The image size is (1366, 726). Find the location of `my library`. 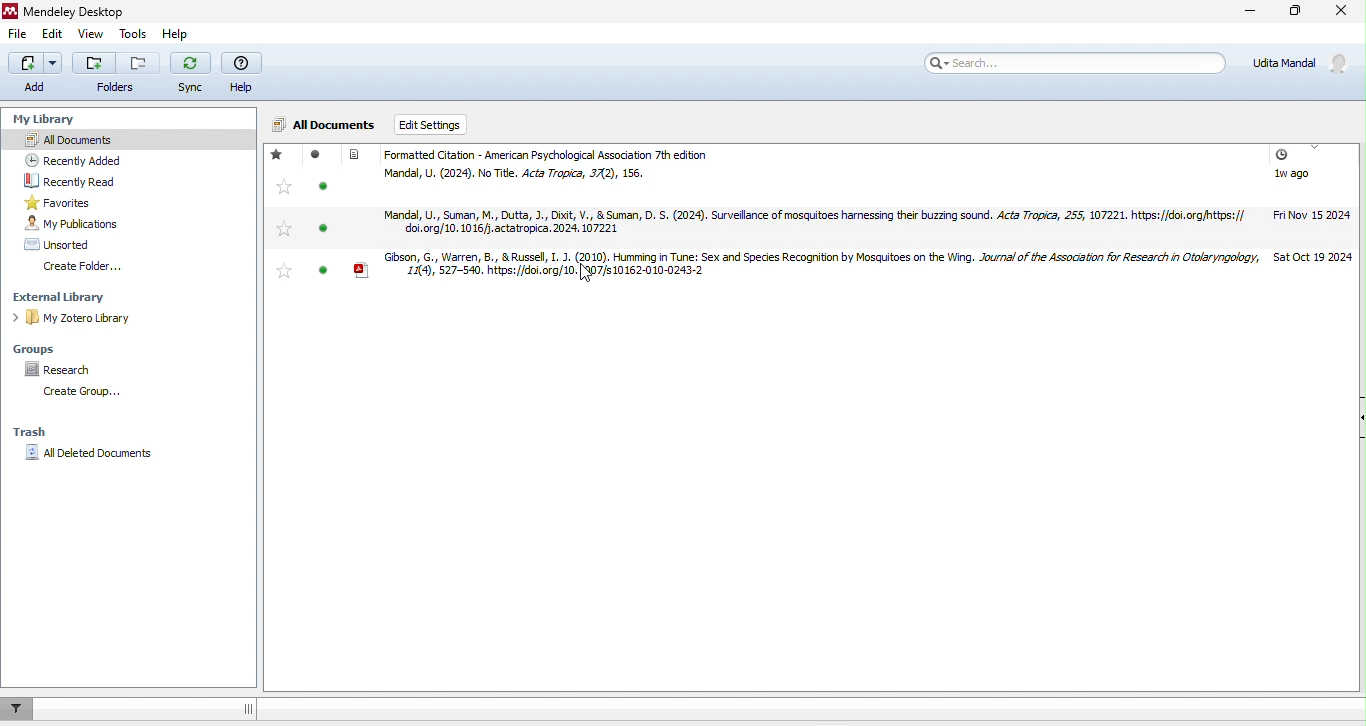

my library is located at coordinates (53, 120).